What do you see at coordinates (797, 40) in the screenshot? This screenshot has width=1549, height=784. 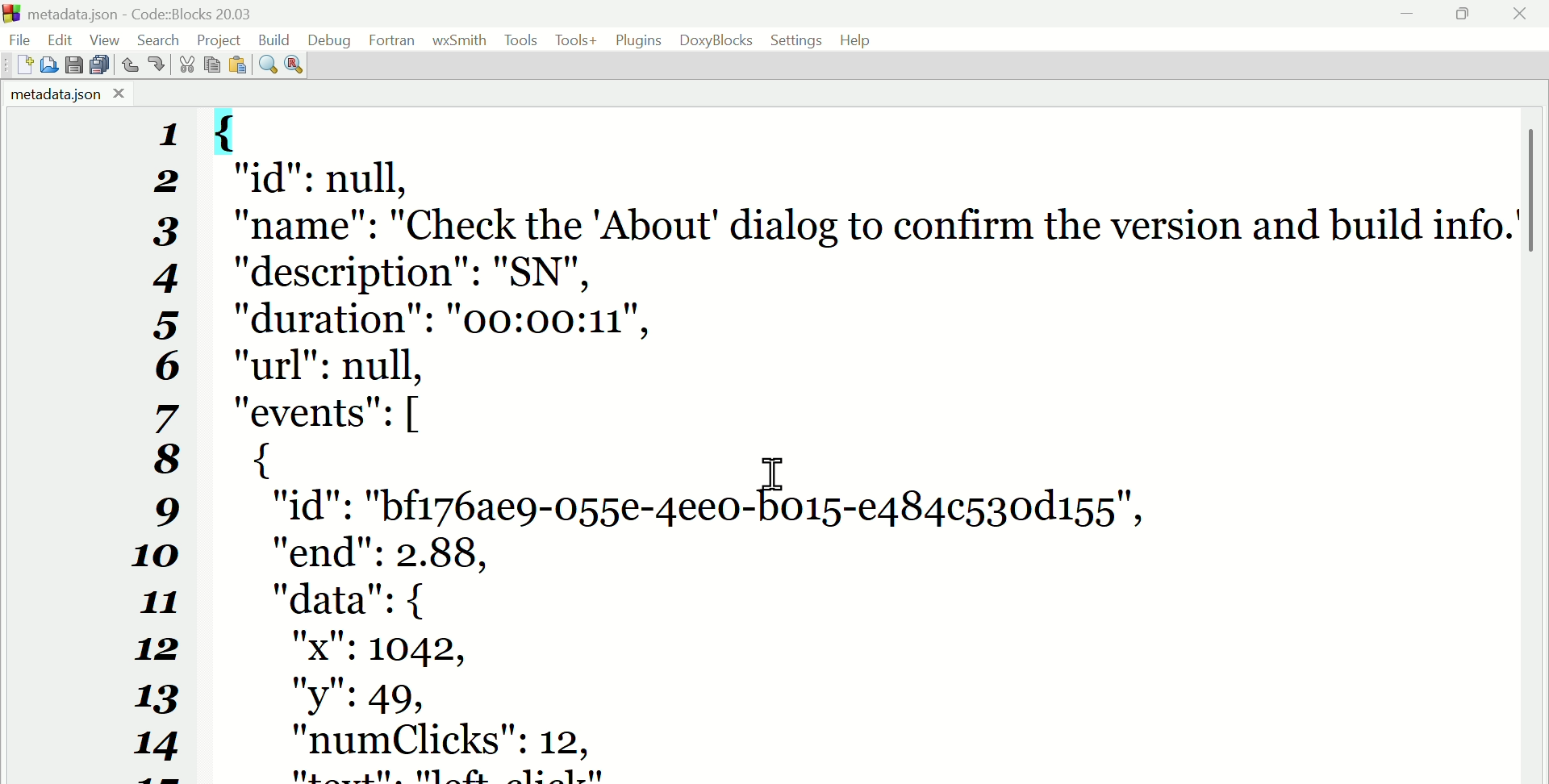 I see `Settings` at bounding box center [797, 40].